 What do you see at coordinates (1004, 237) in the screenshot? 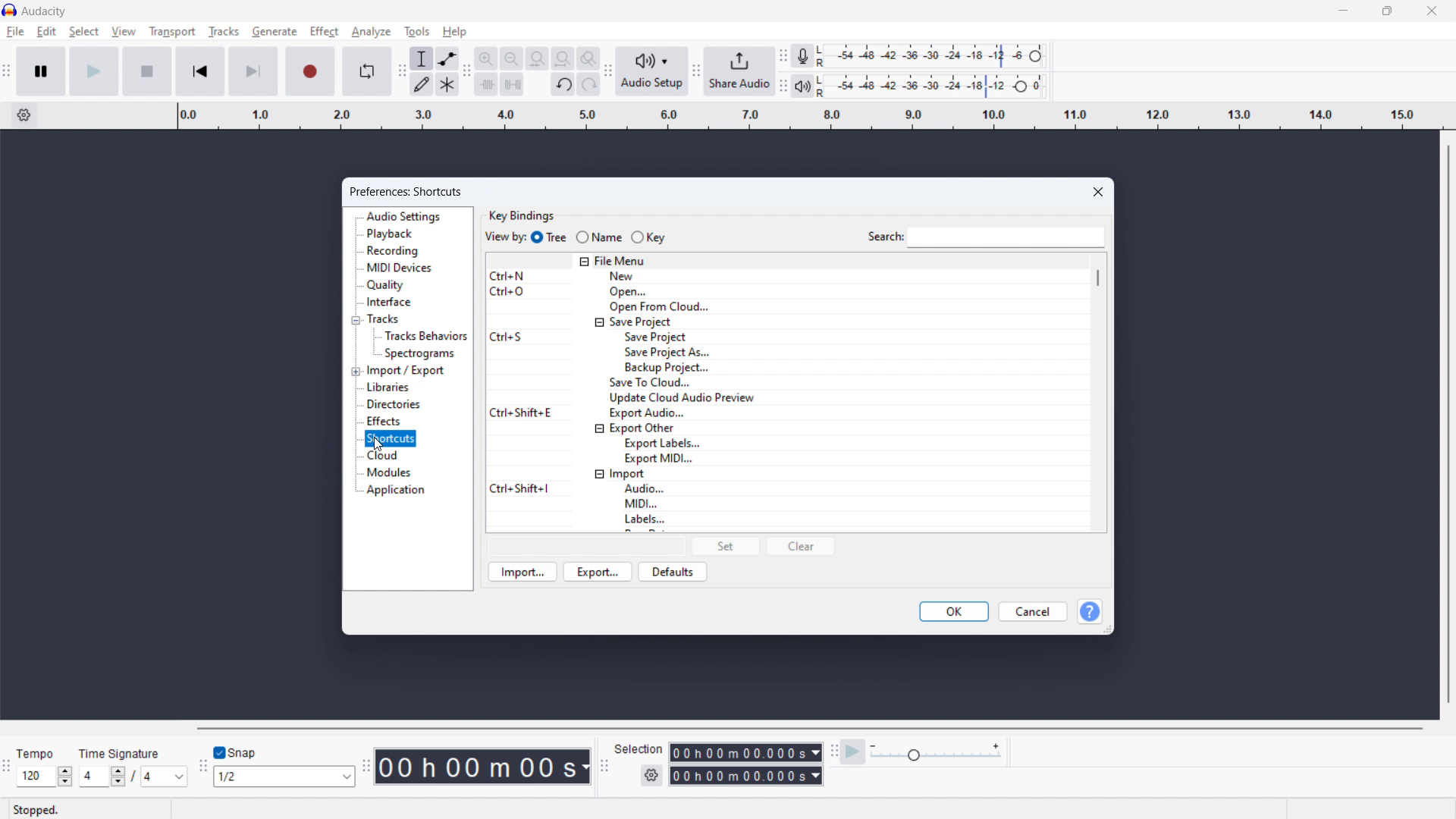
I see `search` at bounding box center [1004, 237].